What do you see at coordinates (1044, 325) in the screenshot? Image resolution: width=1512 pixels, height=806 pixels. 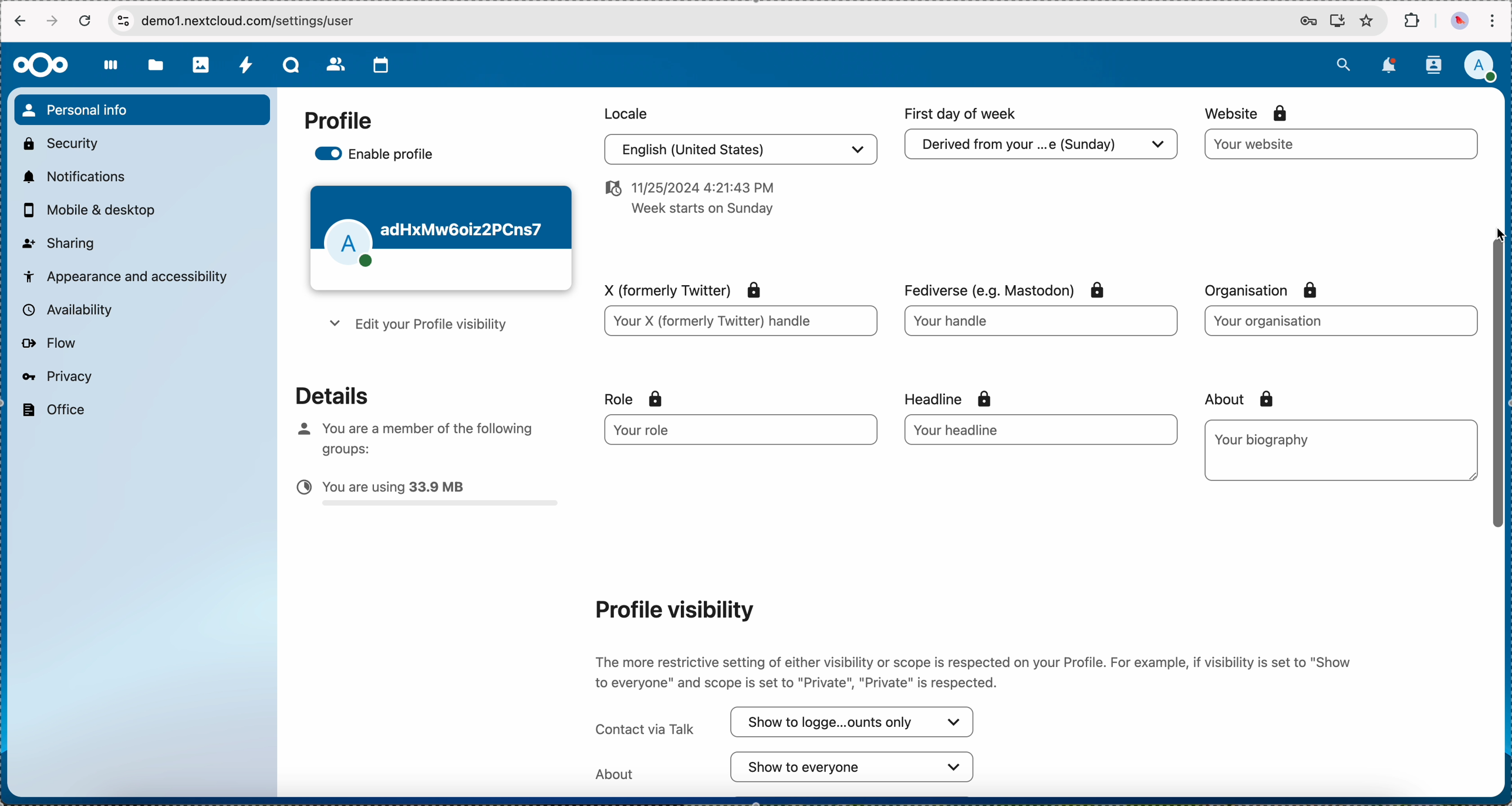 I see `your handle` at bounding box center [1044, 325].